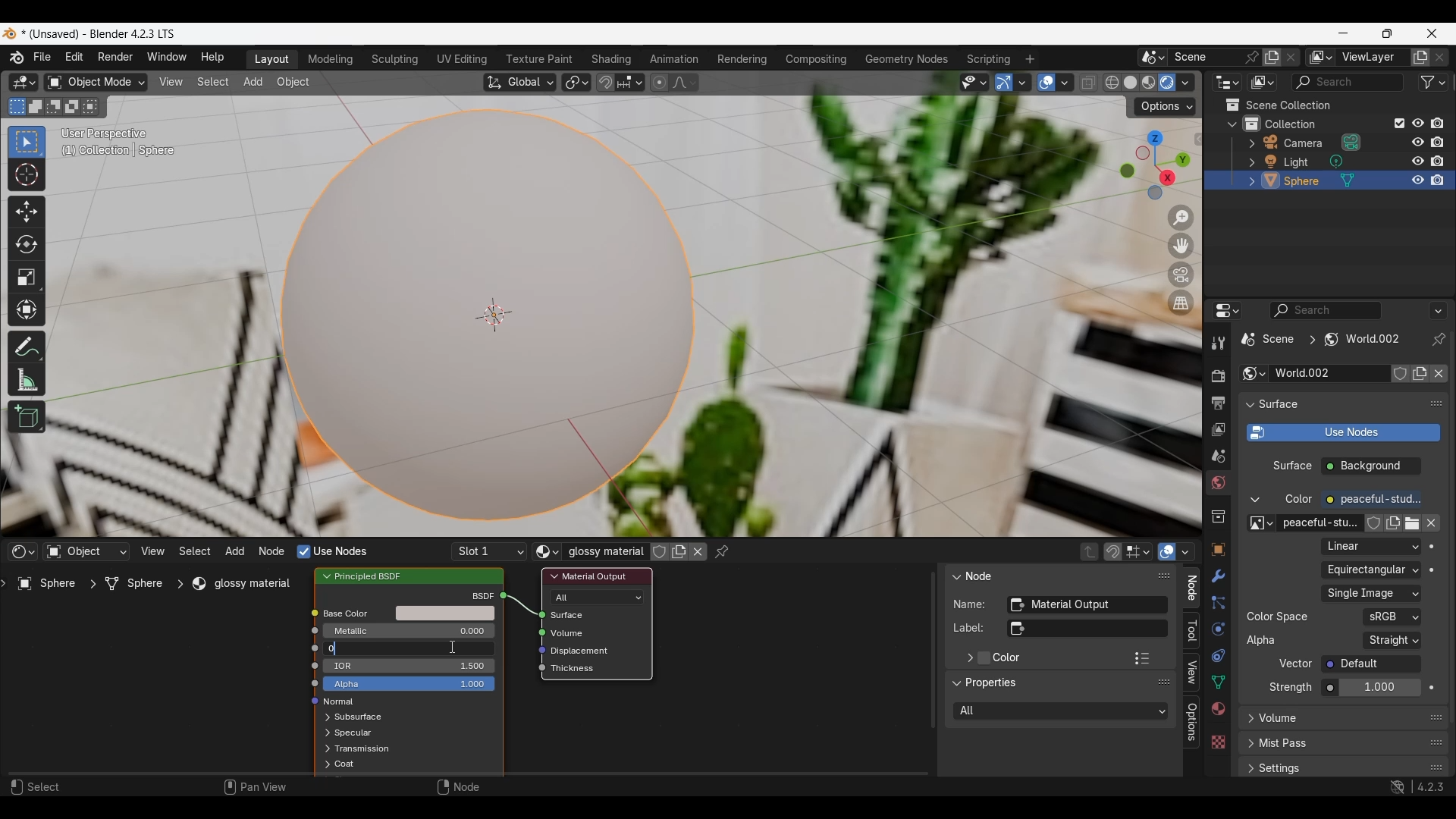 The width and height of the screenshot is (1456, 819). I want to click on Browse world settings to be linked, so click(1254, 373).